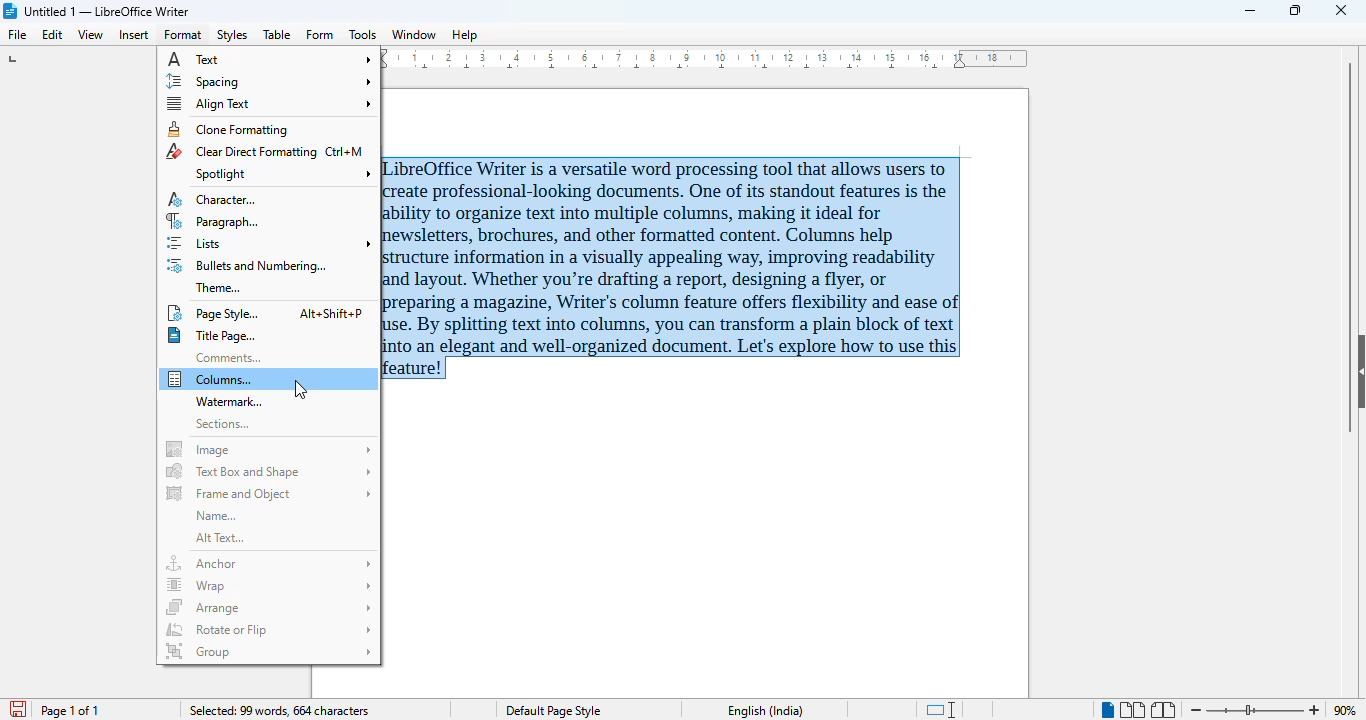 The image size is (1366, 720). What do you see at coordinates (279, 710) in the screenshot?
I see `selected: 99 words 664 characters` at bounding box center [279, 710].